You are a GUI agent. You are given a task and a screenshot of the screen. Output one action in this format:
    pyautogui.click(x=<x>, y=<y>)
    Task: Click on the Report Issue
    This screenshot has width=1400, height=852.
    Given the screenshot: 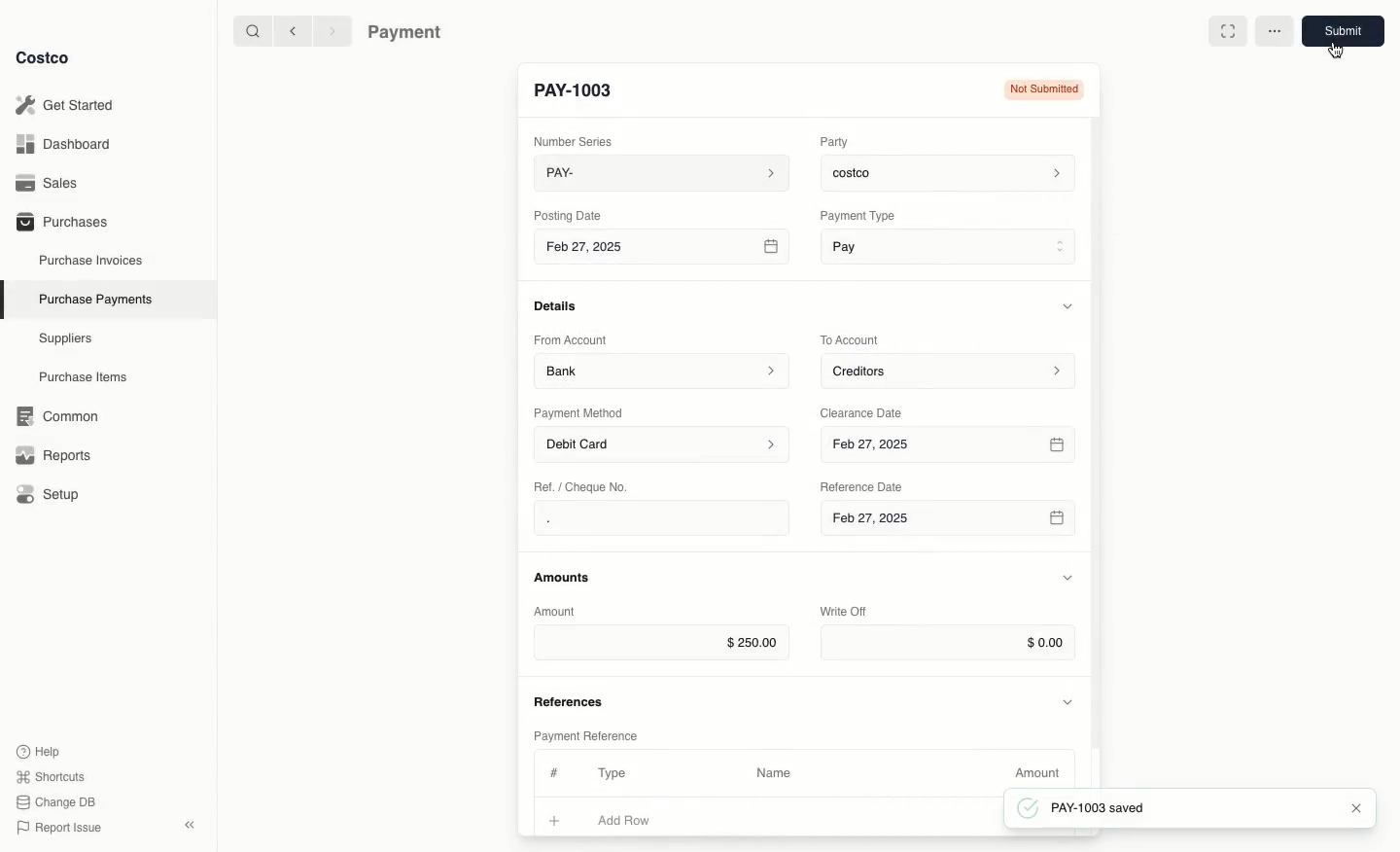 What is the action you would take?
    pyautogui.click(x=59, y=829)
    